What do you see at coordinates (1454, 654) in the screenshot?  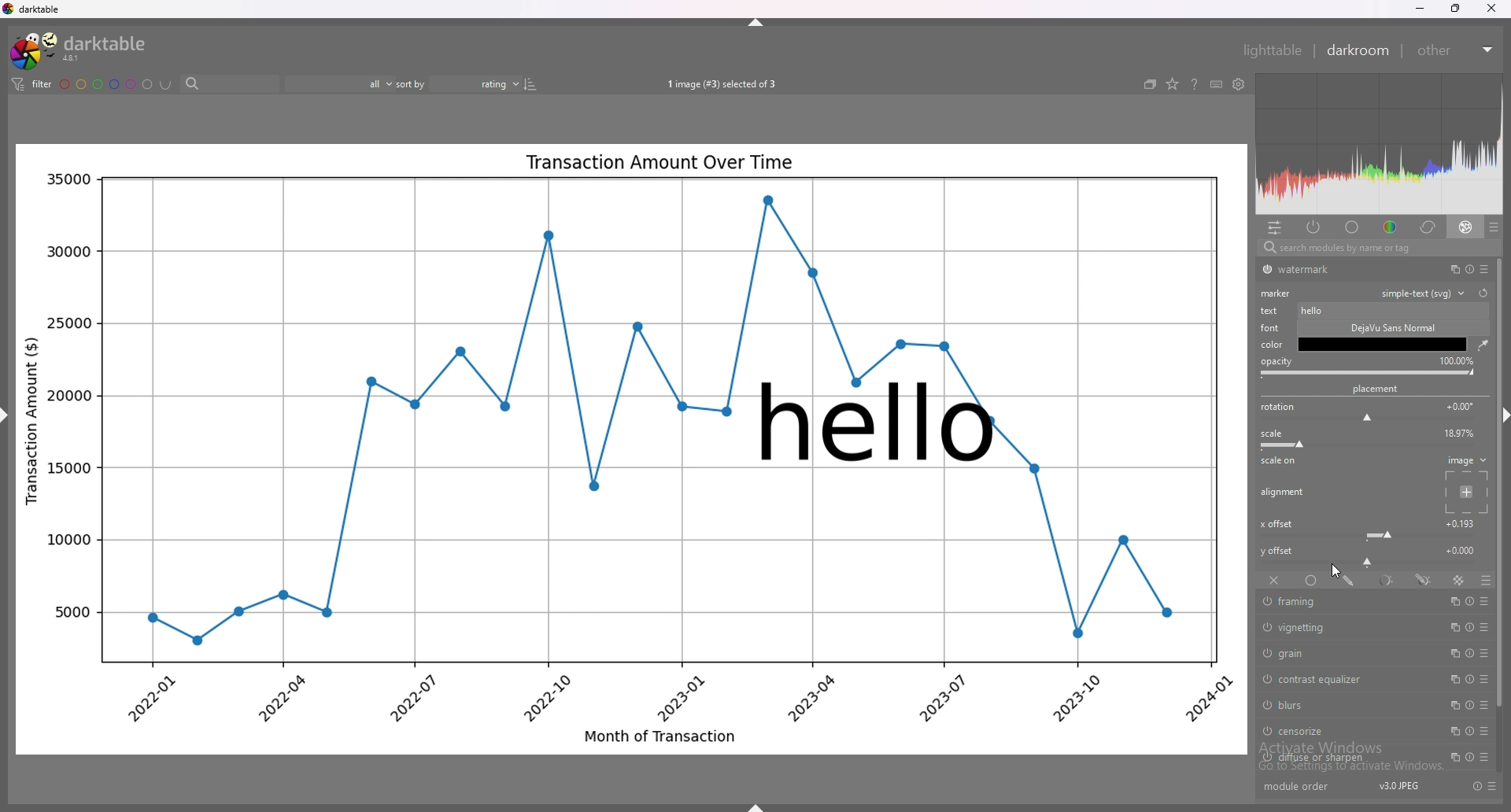 I see `multiple instances action` at bounding box center [1454, 654].